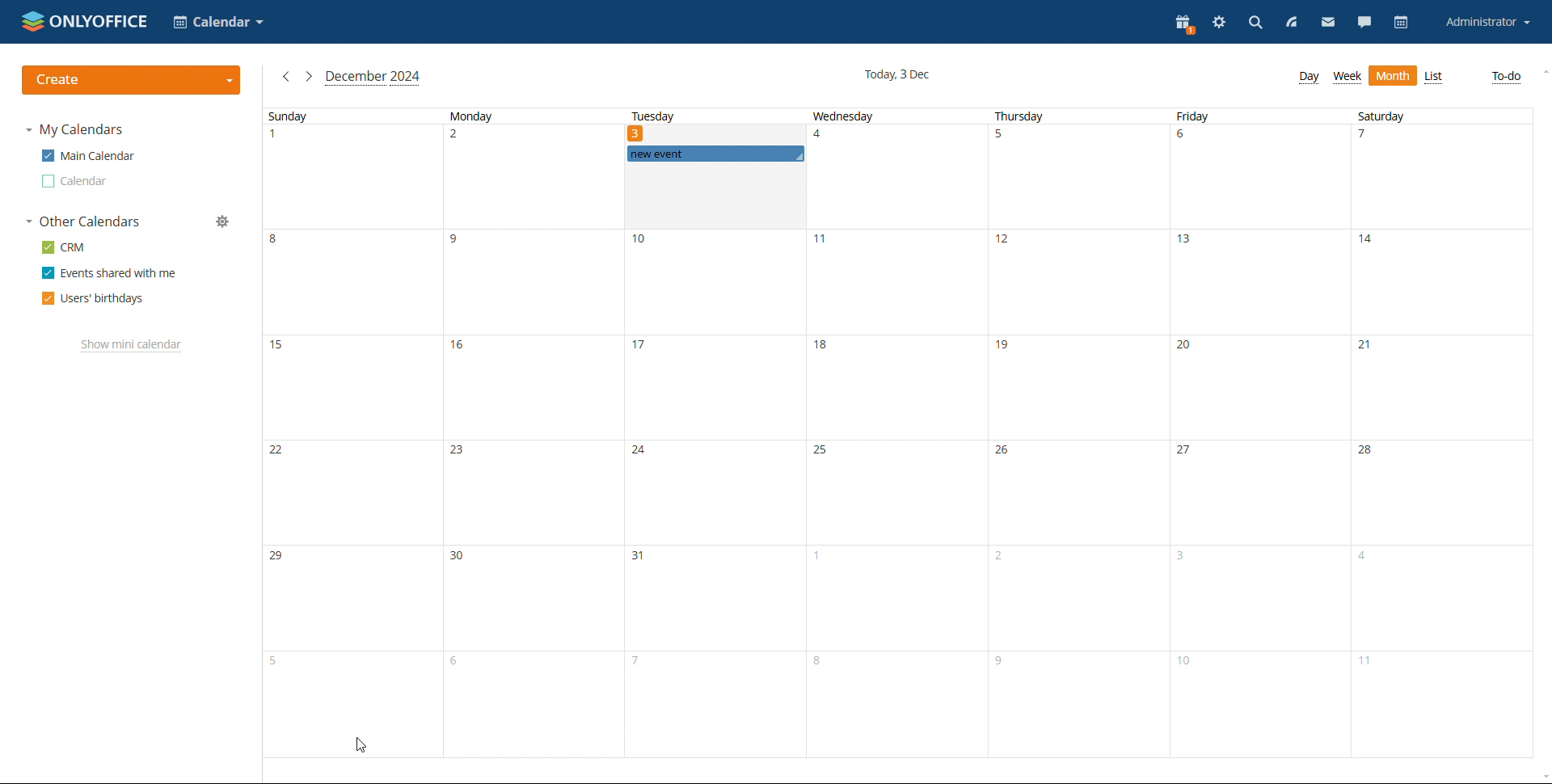 The height and width of the screenshot is (784, 1552). What do you see at coordinates (1289, 23) in the screenshot?
I see `feed` at bounding box center [1289, 23].